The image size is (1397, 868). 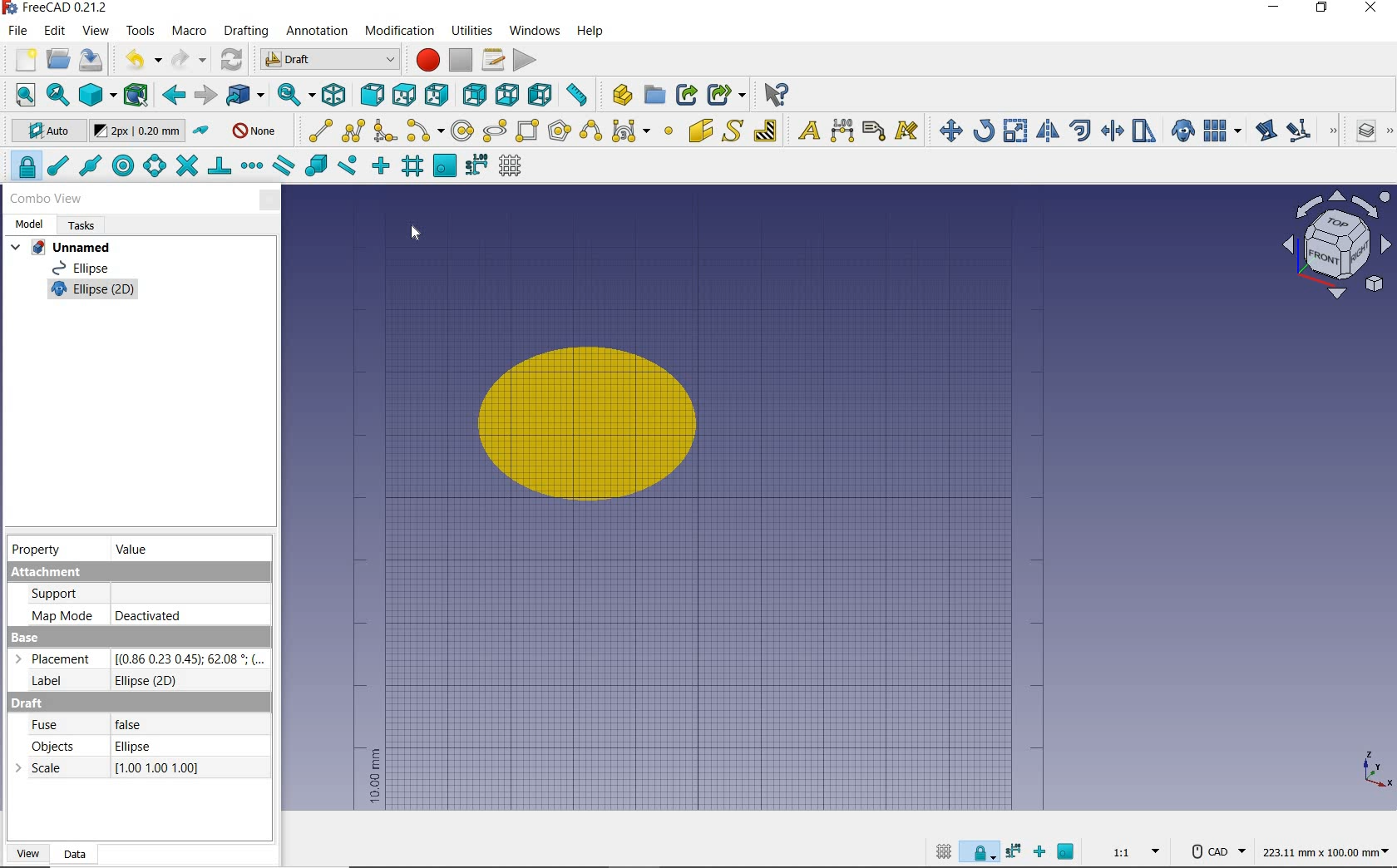 I want to click on snap working plane, so click(x=443, y=167).